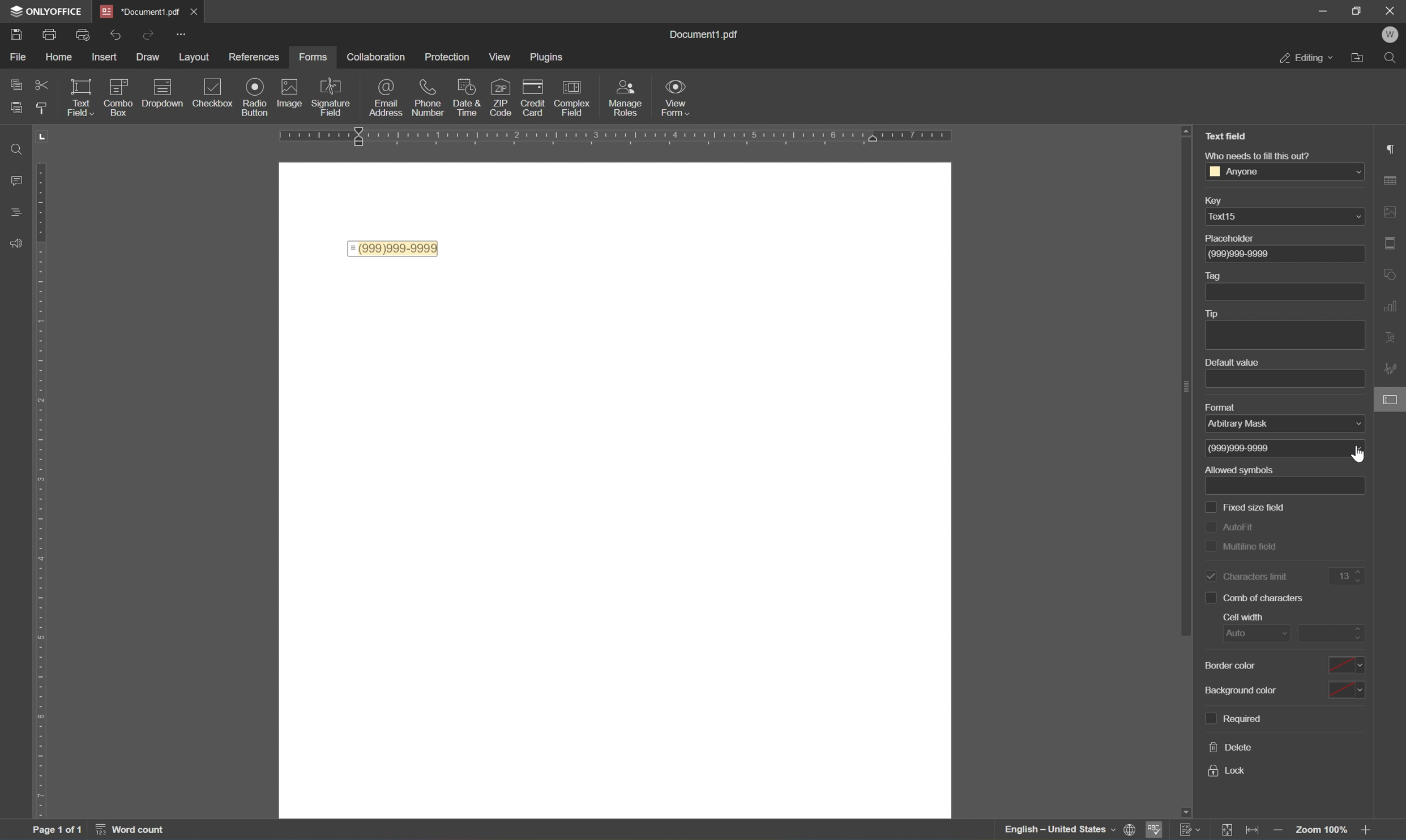 The width and height of the screenshot is (1406, 840). I want to click on scroll down, so click(1373, 816).